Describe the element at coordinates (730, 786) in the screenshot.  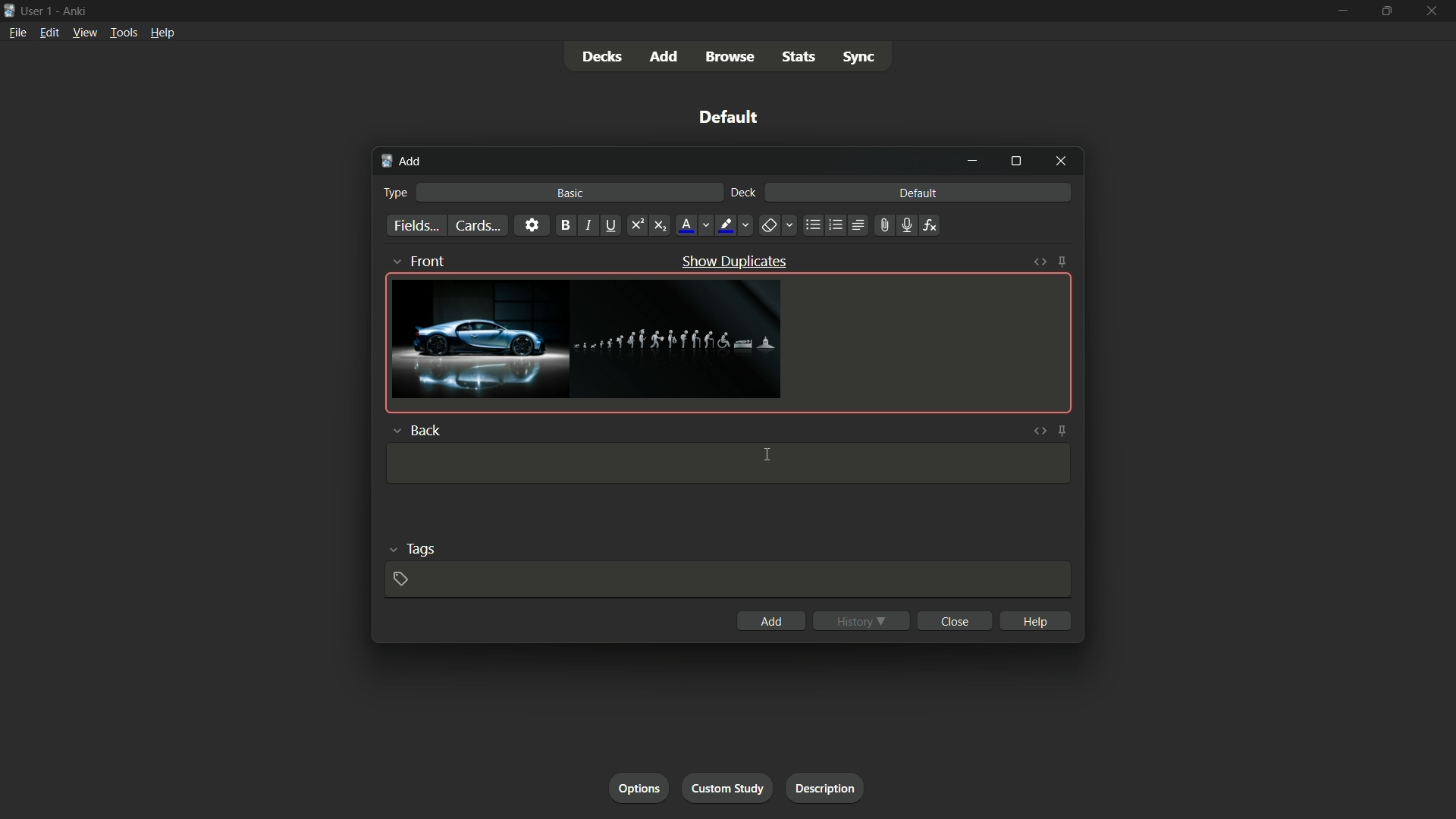
I see `custom study` at that location.